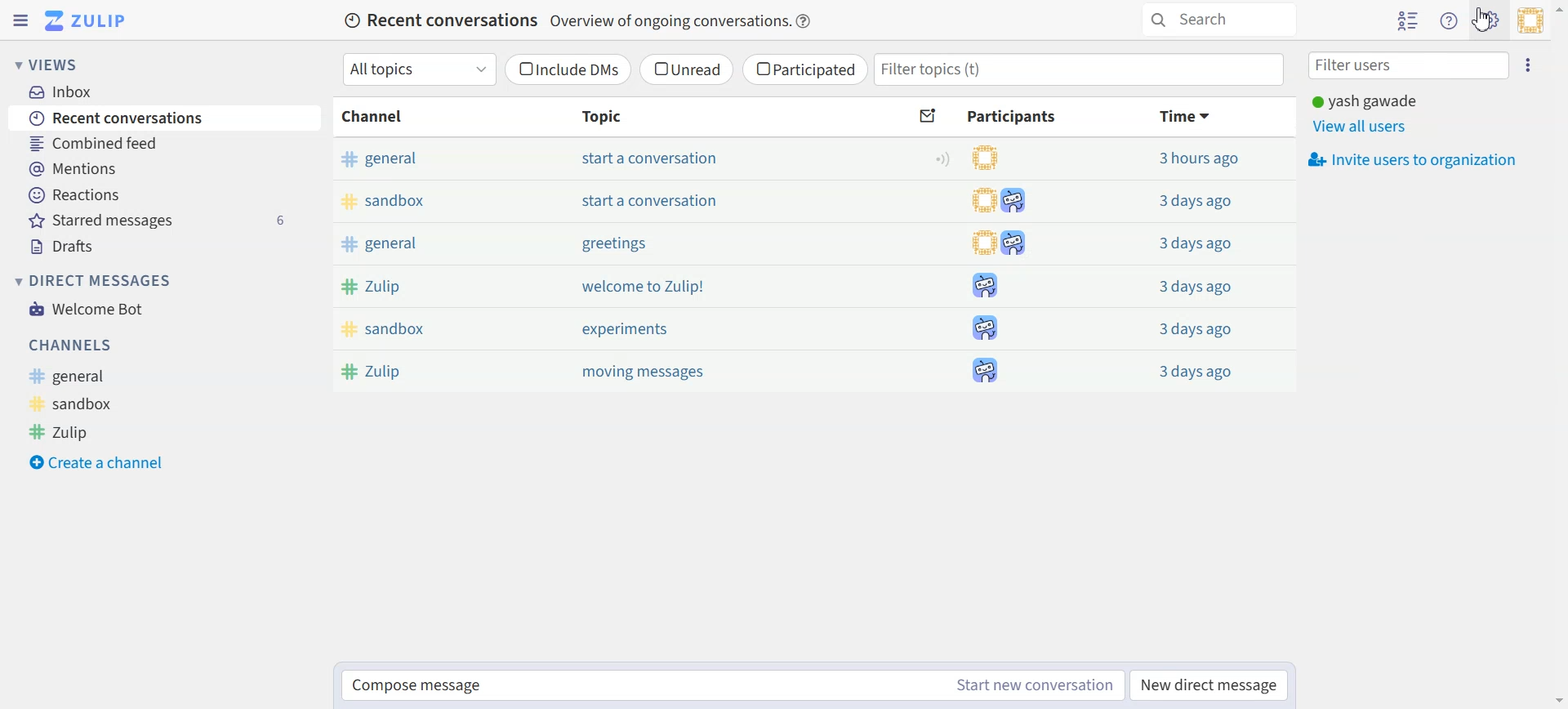  What do you see at coordinates (603, 118) in the screenshot?
I see `Topic` at bounding box center [603, 118].